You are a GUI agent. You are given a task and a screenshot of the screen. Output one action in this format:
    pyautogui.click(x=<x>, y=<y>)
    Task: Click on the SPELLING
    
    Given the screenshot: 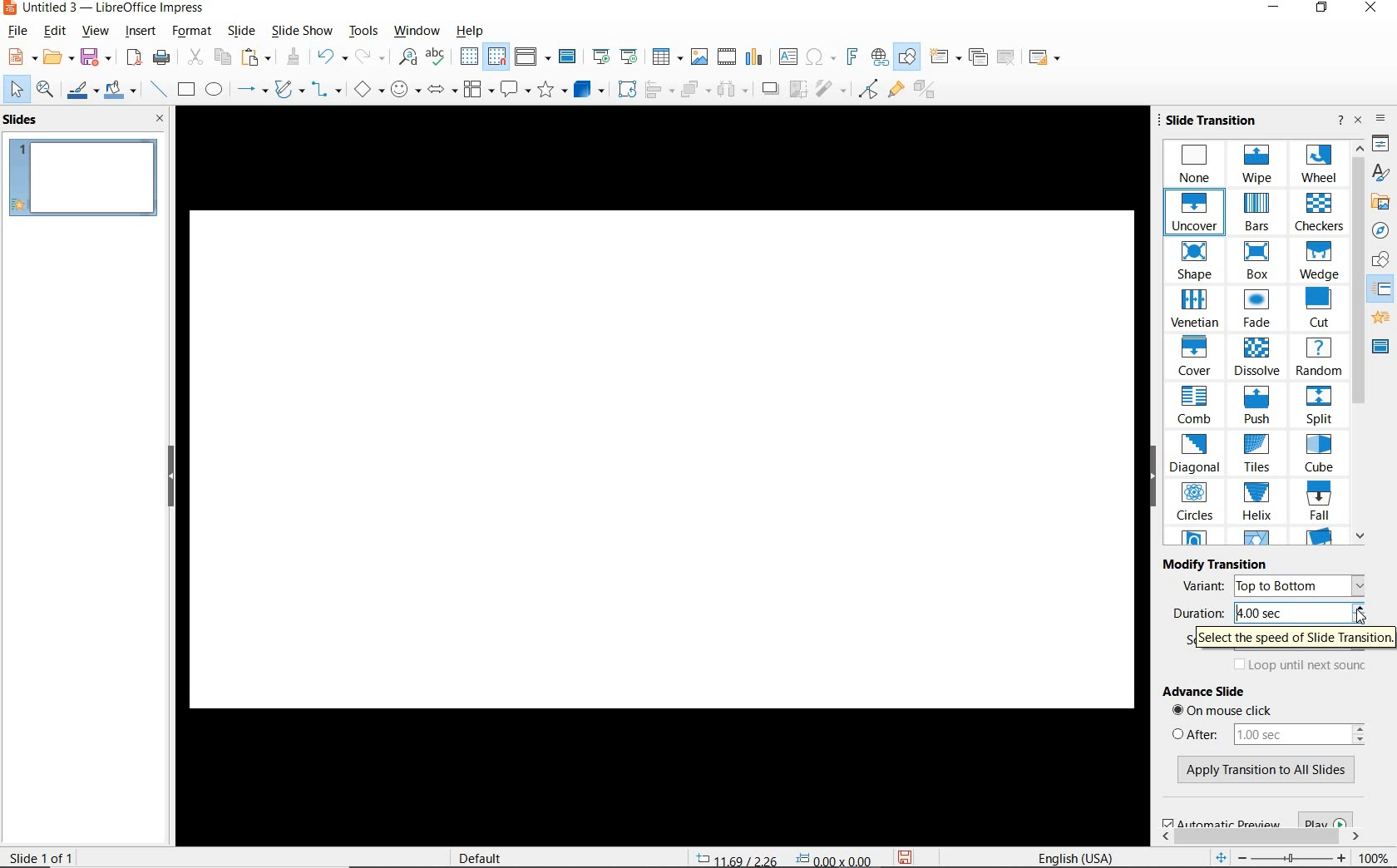 What is the action you would take?
    pyautogui.click(x=437, y=57)
    